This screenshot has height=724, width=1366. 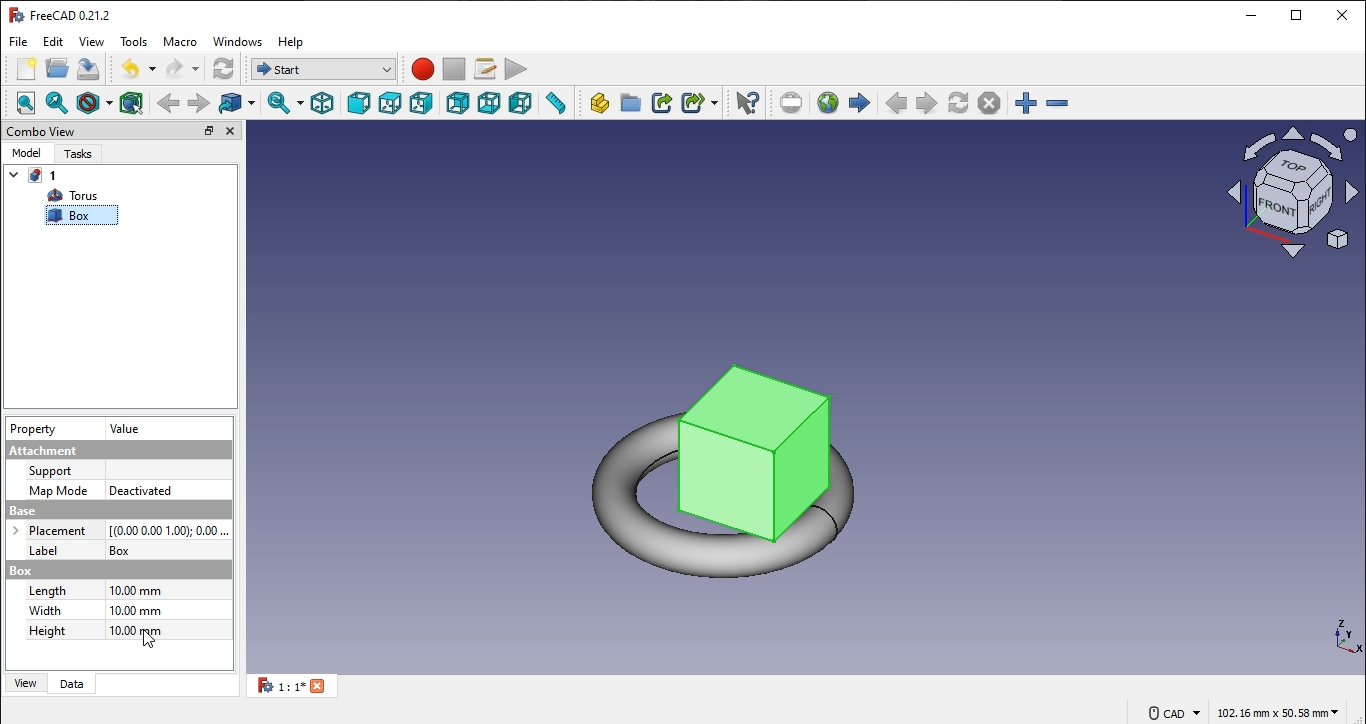 I want to click on backward, so click(x=169, y=102).